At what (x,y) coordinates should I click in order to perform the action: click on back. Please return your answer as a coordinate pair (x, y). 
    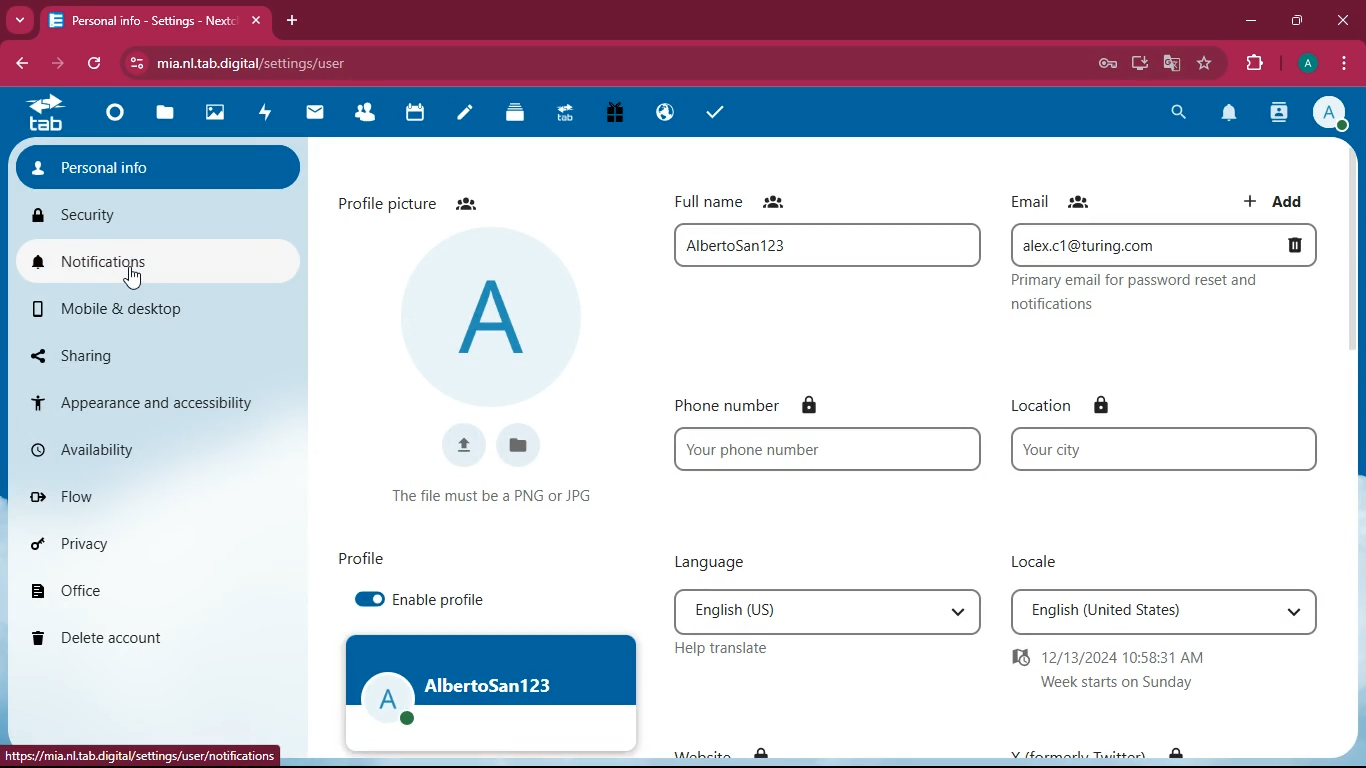
    Looking at the image, I should click on (19, 63).